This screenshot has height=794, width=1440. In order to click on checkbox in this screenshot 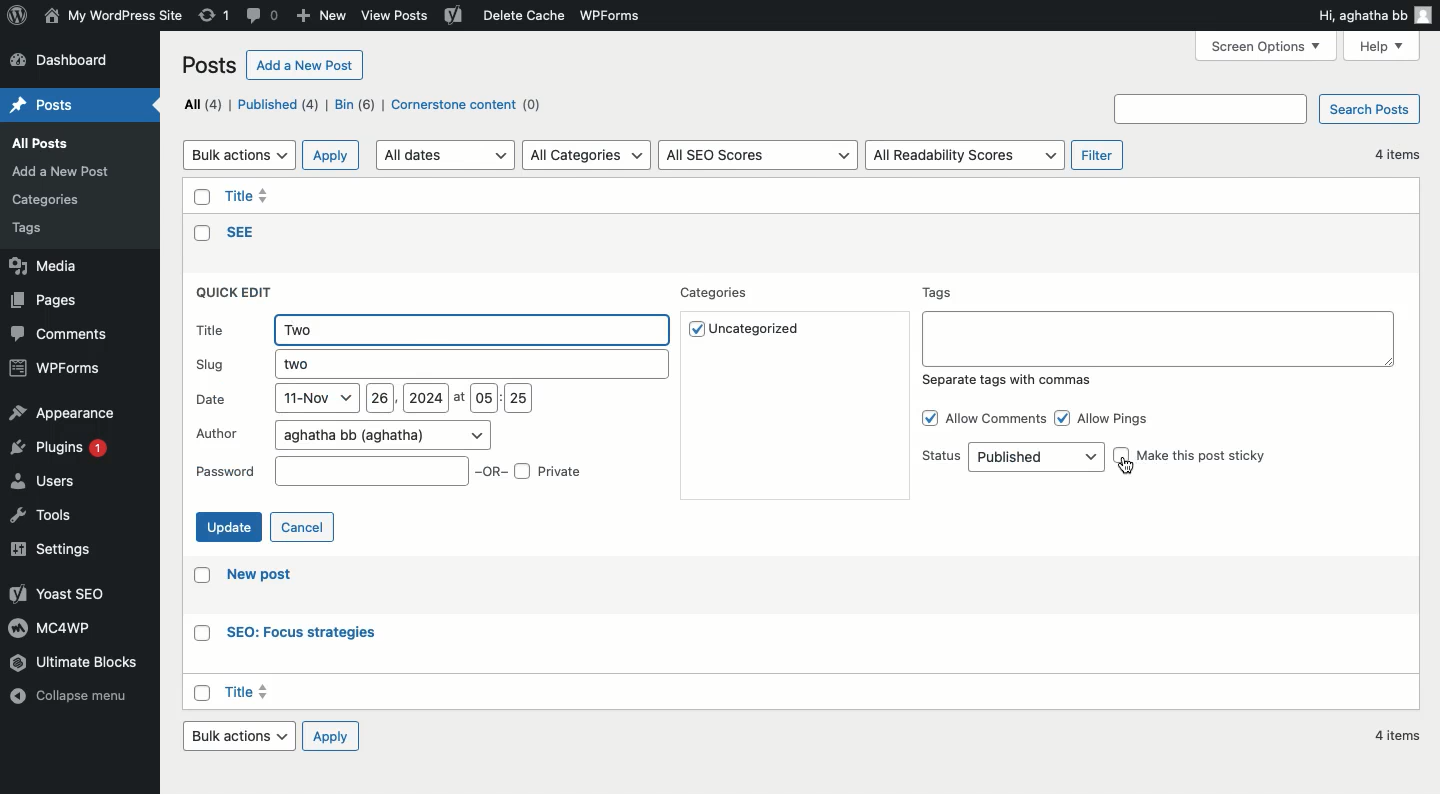, I will do `click(198, 577)`.